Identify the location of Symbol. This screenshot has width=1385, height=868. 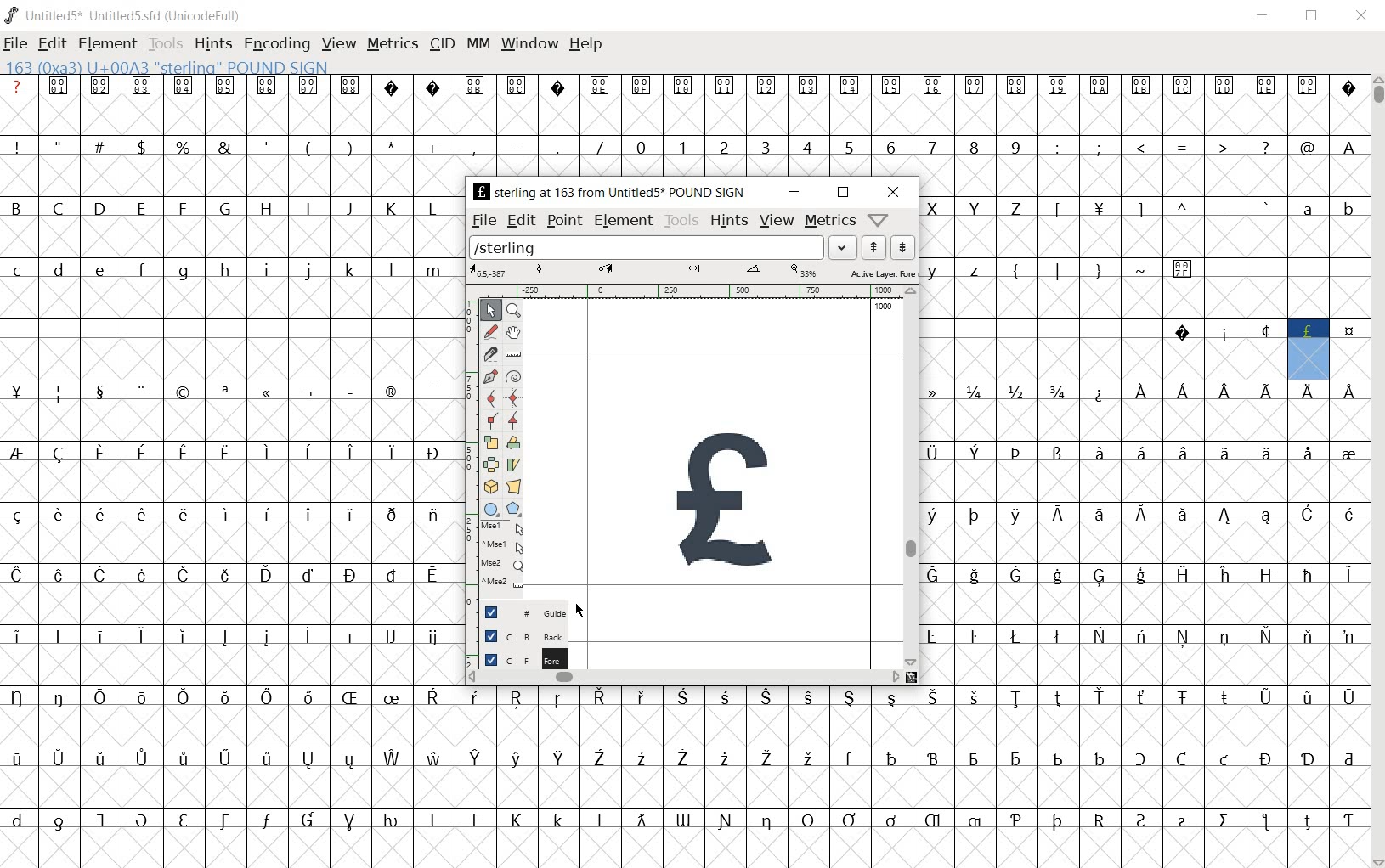
(726, 85).